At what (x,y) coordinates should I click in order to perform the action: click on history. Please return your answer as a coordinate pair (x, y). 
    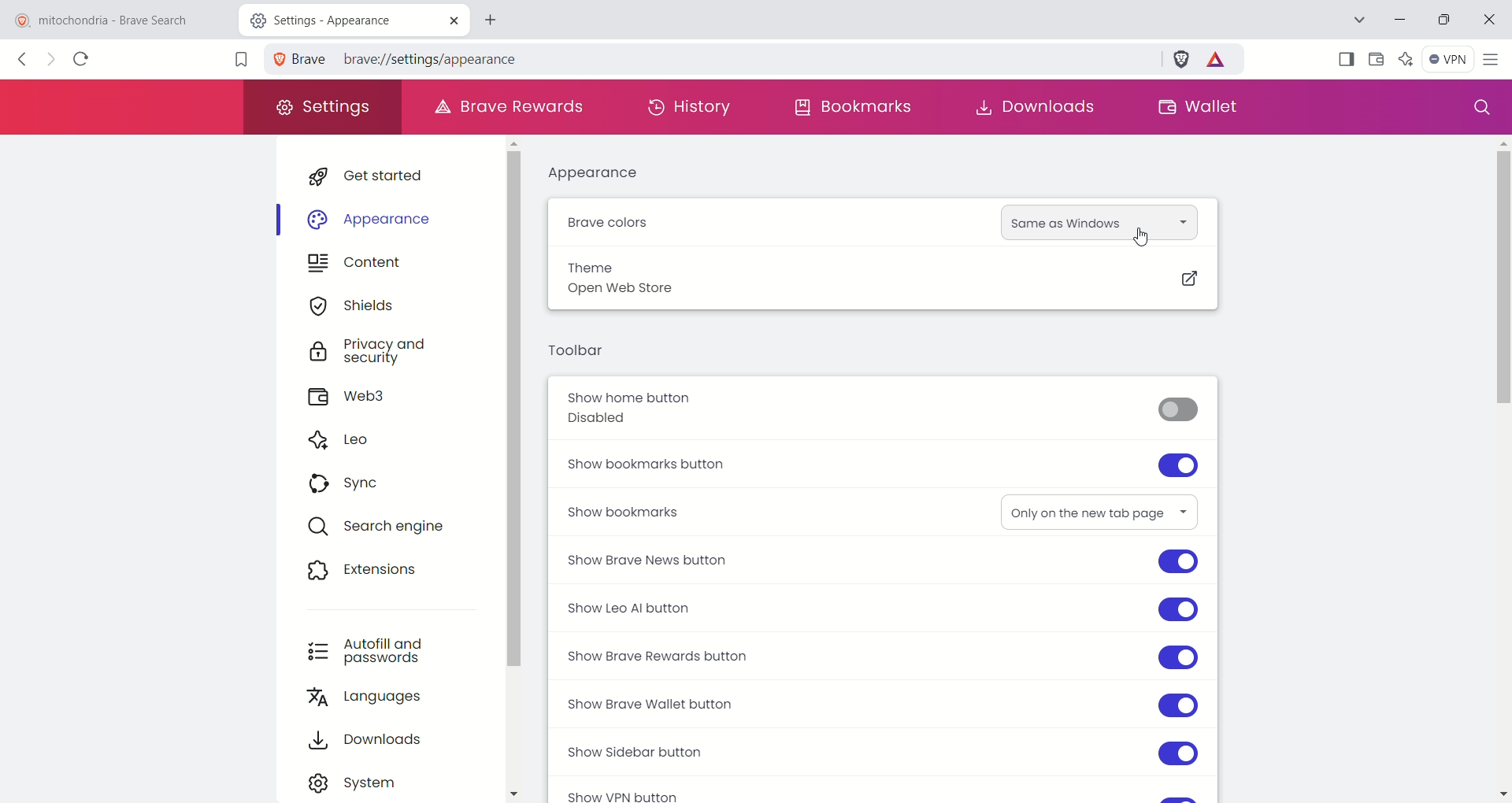
    Looking at the image, I should click on (692, 111).